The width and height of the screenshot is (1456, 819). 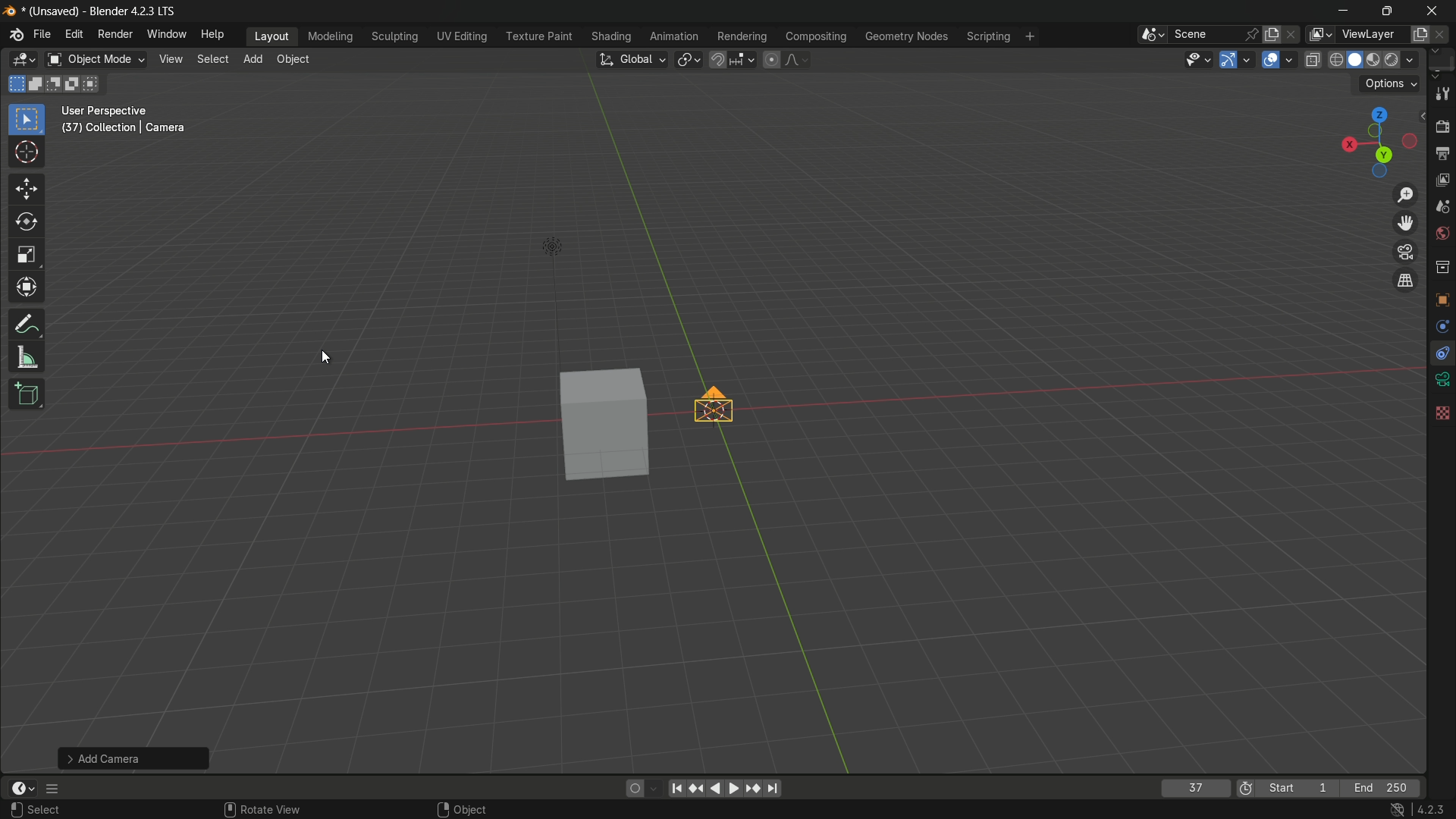 What do you see at coordinates (814, 36) in the screenshot?
I see `compositing menu` at bounding box center [814, 36].